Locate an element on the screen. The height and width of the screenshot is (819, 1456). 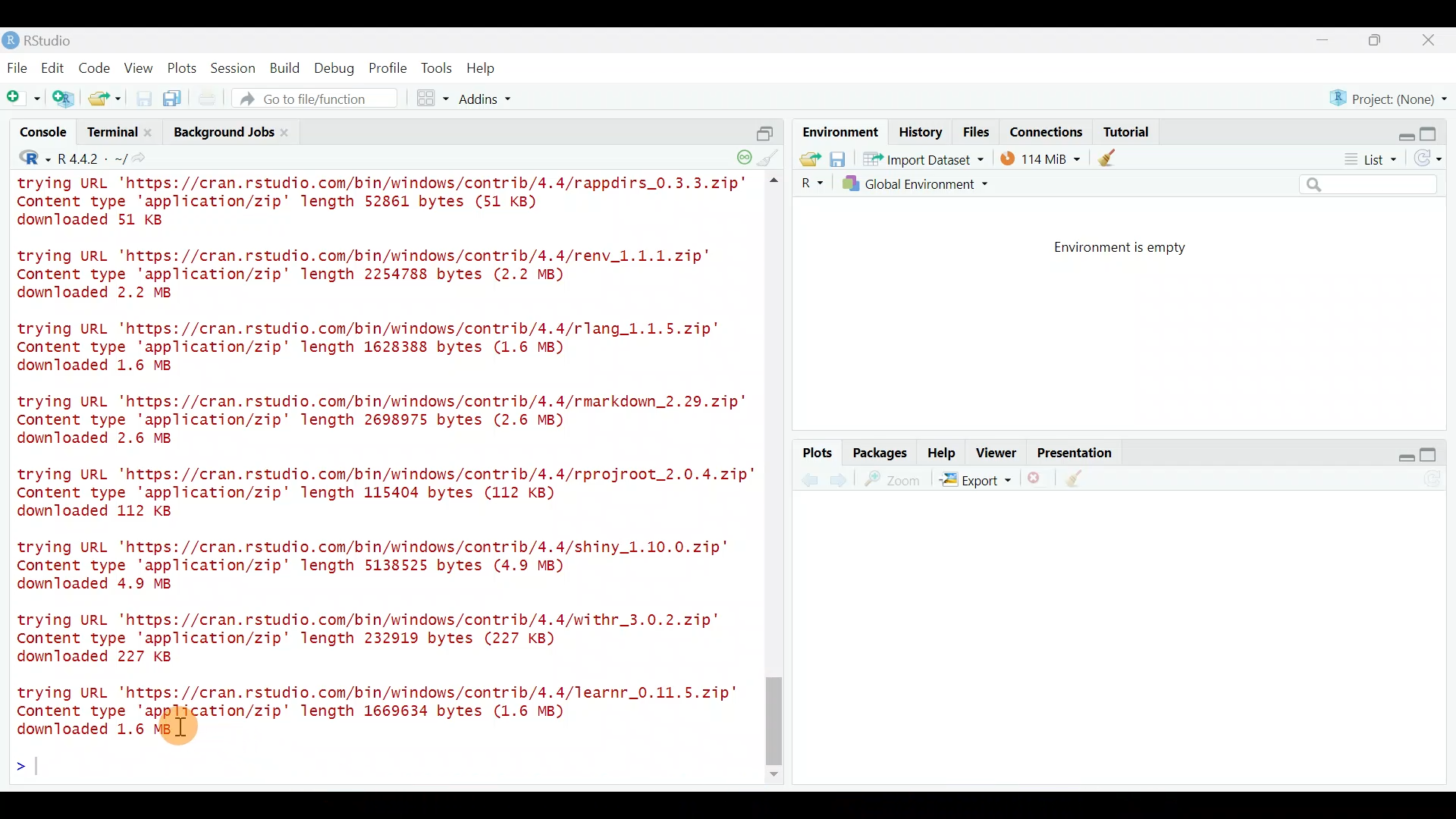
close terminal is located at coordinates (151, 133).